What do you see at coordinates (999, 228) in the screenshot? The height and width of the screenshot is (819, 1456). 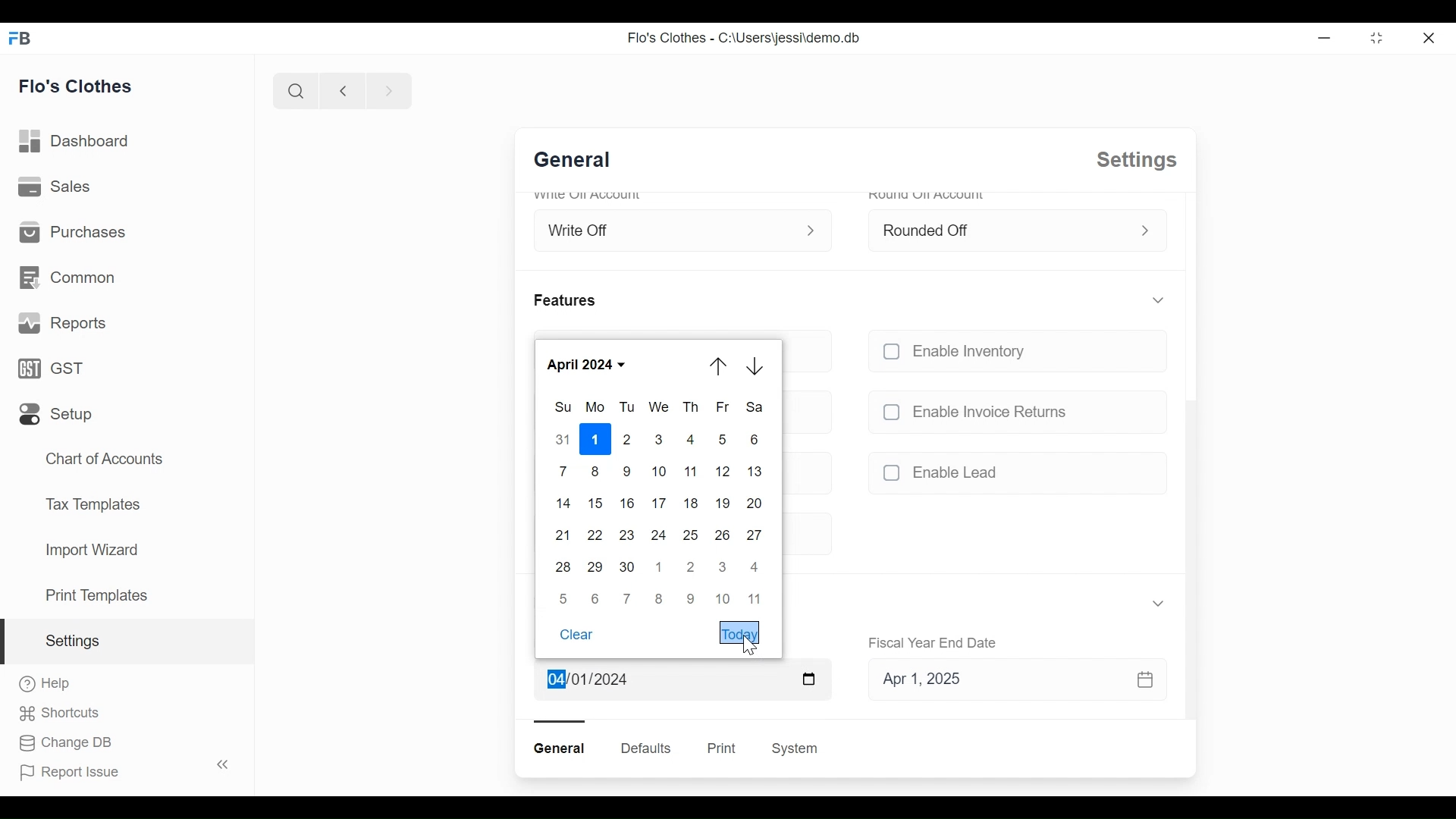 I see `Rounded Off` at bounding box center [999, 228].